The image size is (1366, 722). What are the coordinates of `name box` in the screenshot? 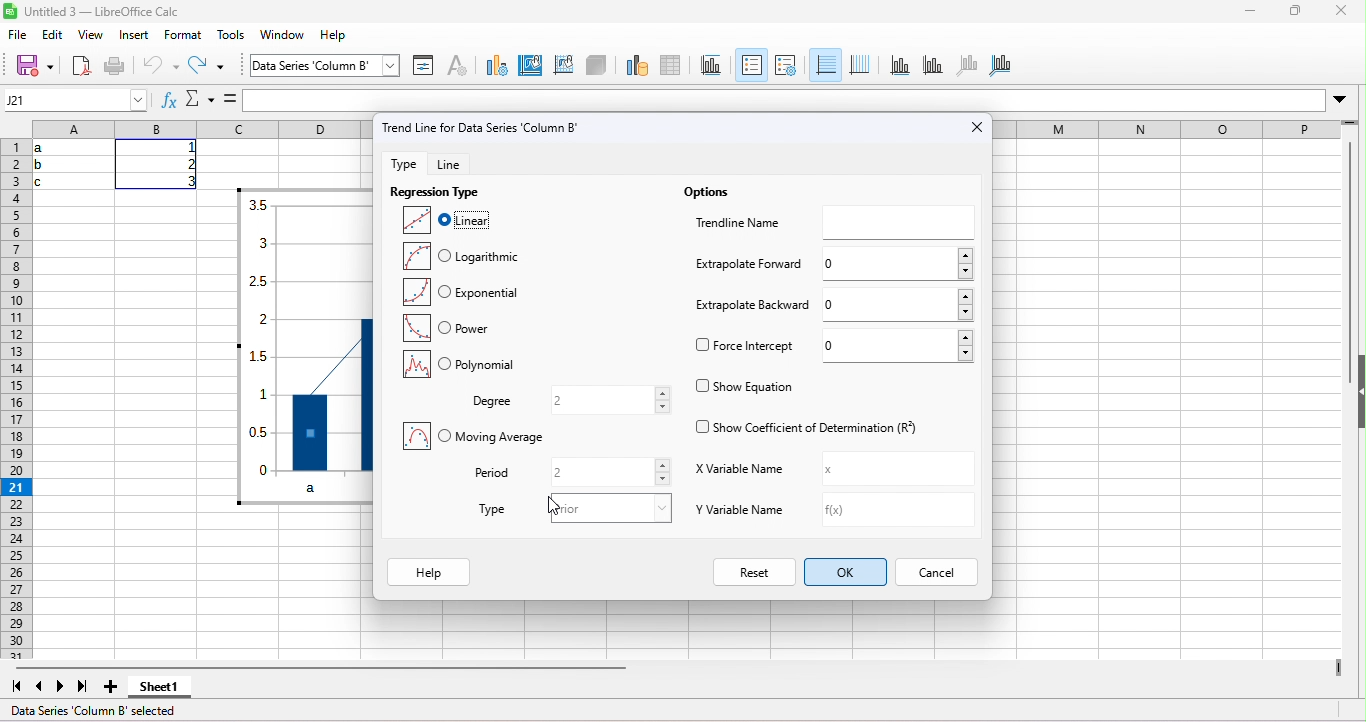 It's located at (76, 101).